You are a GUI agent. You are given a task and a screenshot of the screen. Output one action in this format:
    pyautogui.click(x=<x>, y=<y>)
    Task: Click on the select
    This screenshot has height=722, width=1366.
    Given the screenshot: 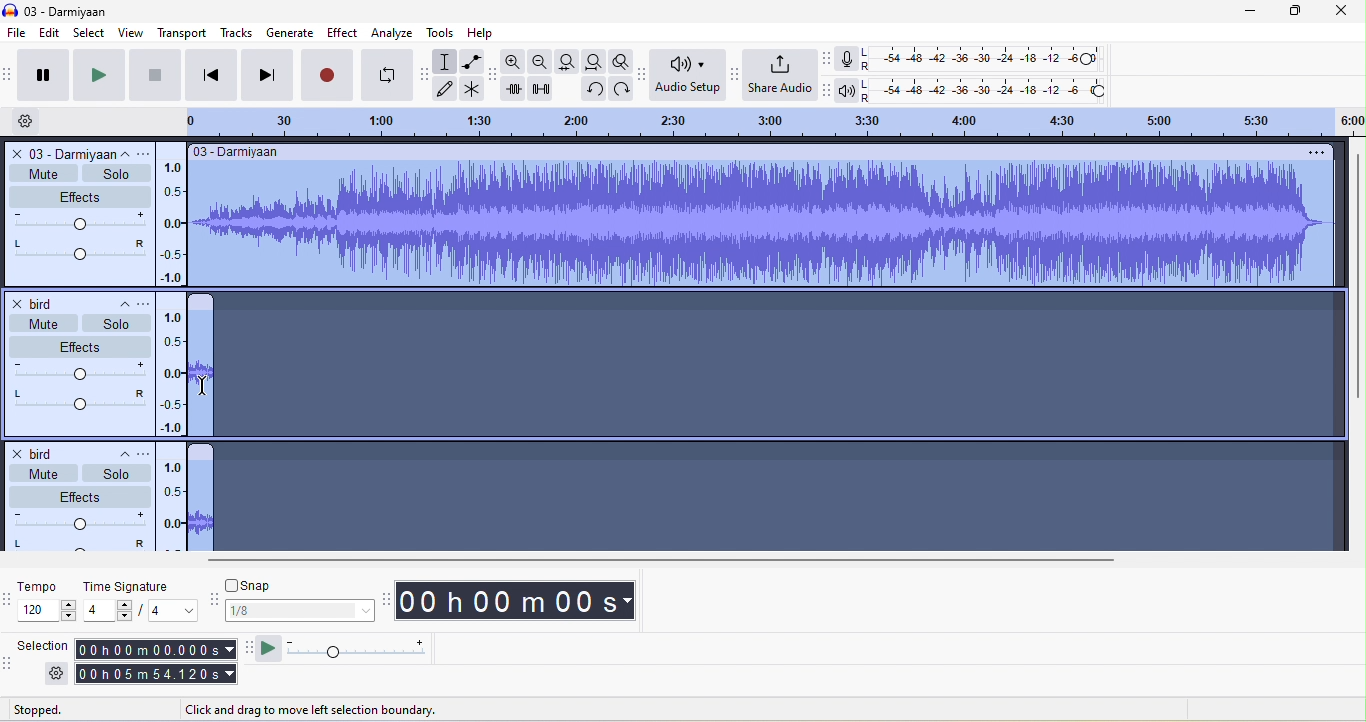 What is the action you would take?
    pyautogui.click(x=88, y=32)
    